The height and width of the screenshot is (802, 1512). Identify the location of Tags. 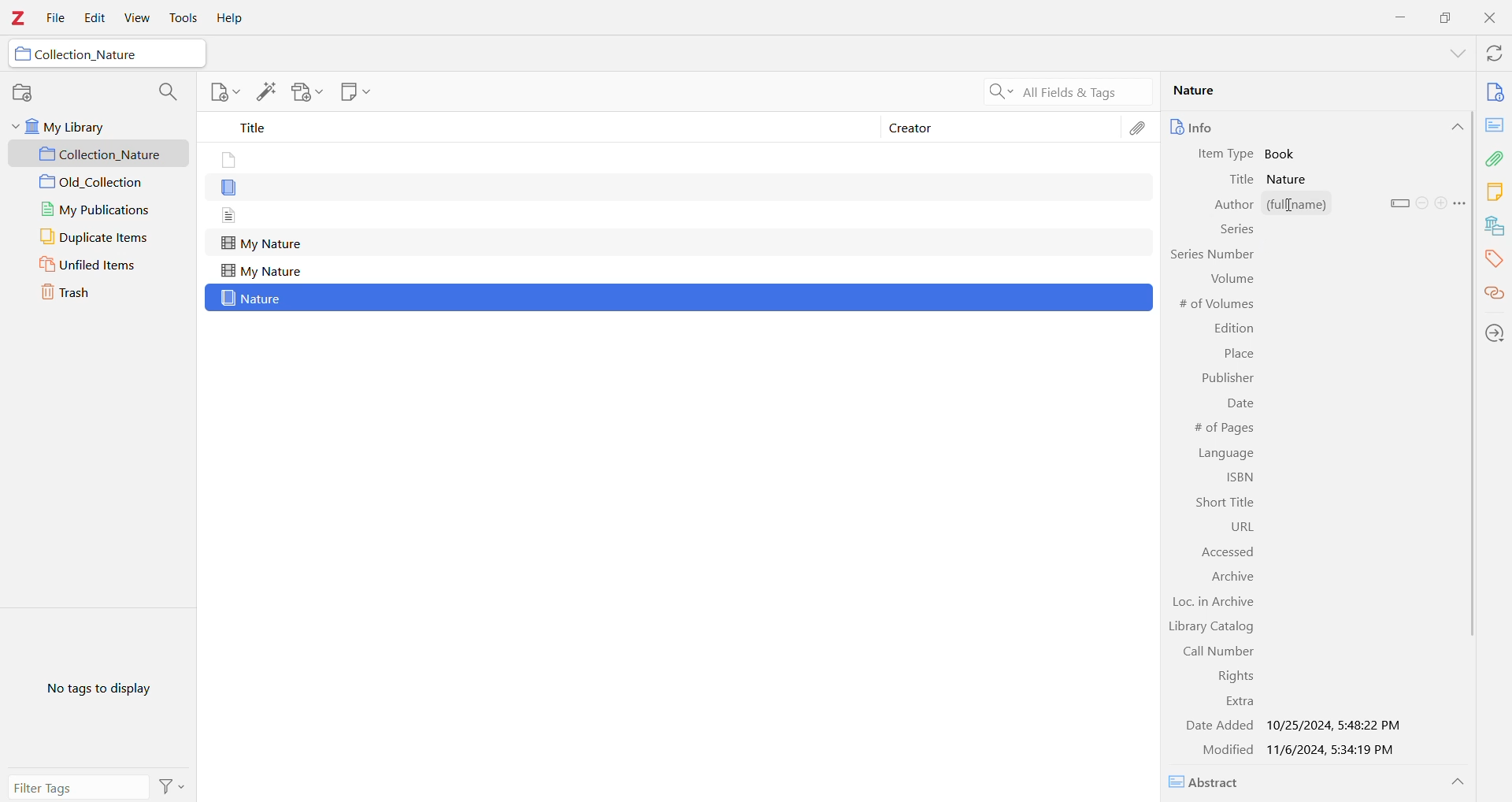
(1494, 260).